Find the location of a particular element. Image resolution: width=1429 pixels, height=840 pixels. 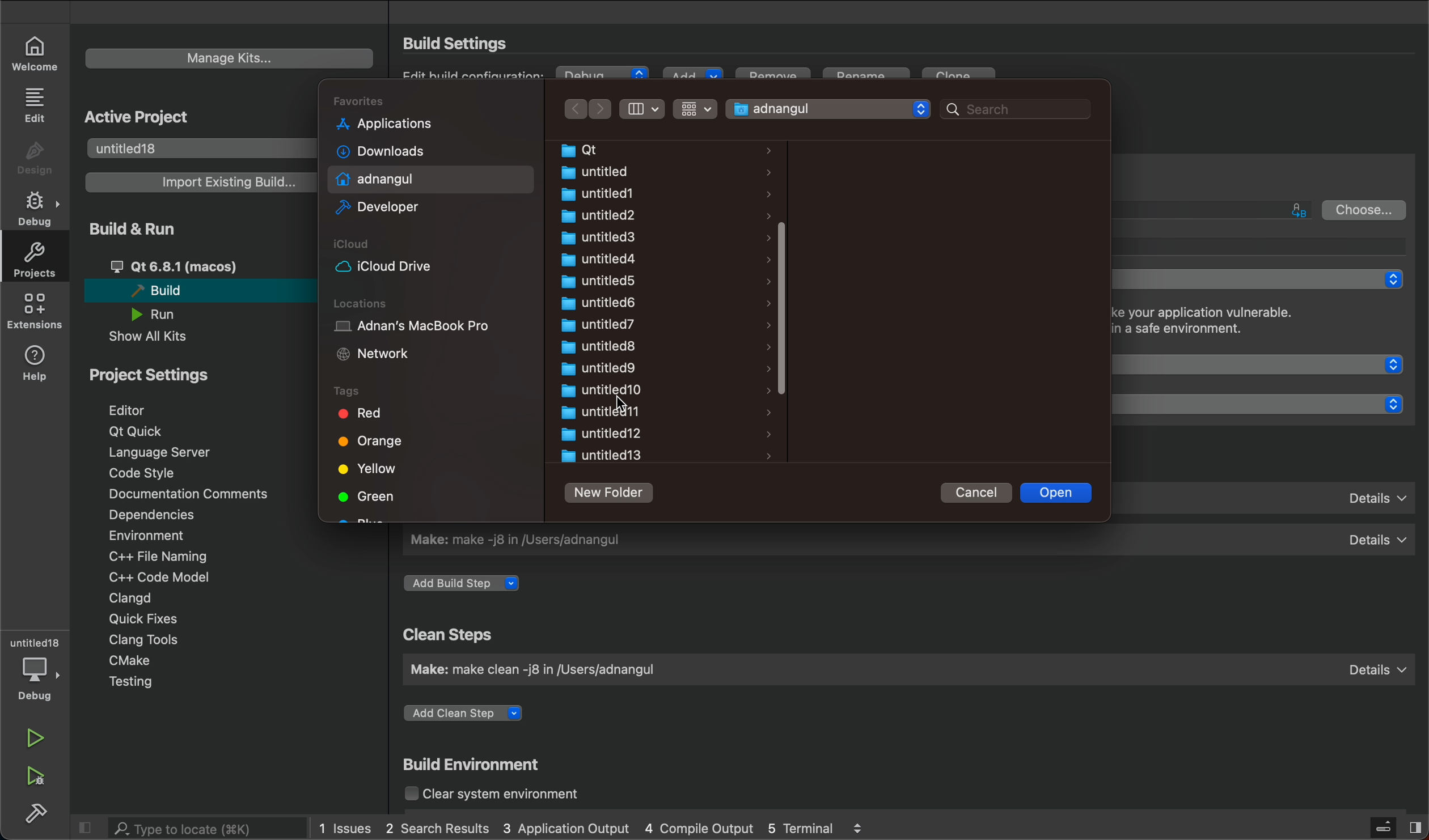

close slidebar is located at coordinates (88, 828).